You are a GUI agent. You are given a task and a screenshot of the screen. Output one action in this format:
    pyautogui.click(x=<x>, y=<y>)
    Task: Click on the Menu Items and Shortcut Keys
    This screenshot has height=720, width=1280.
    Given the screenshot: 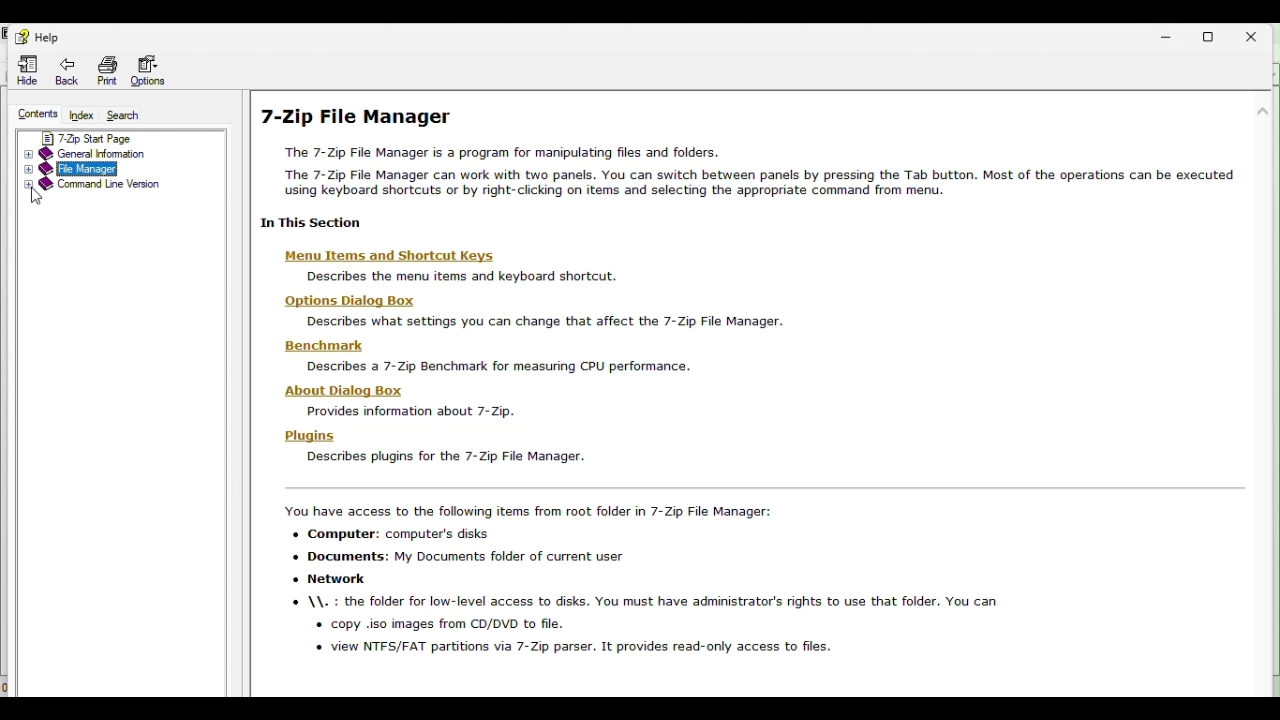 What is the action you would take?
    pyautogui.click(x=385, y=256)
    